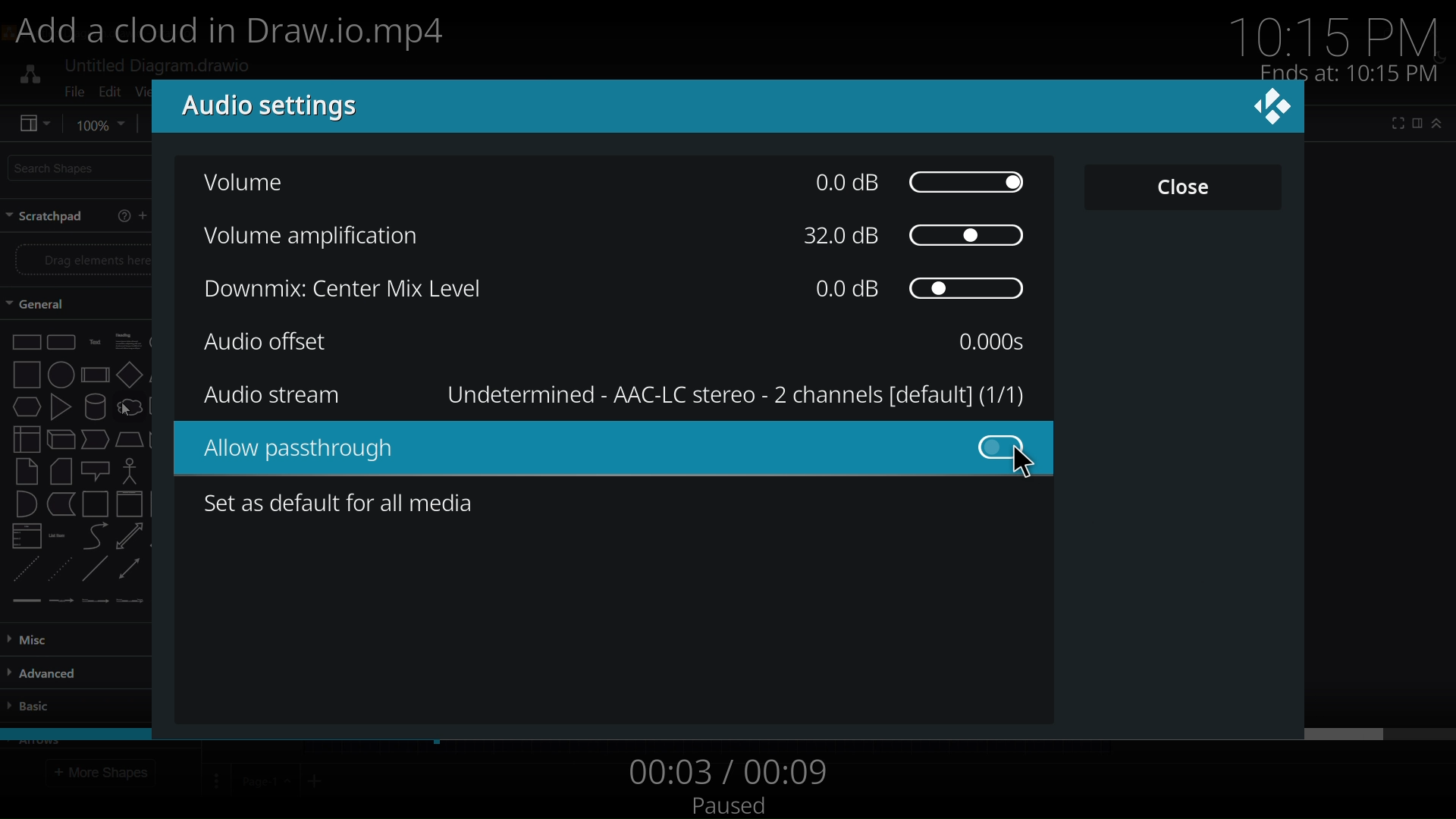  What do you see at coordinates (623, 449) in the screenshot?
I see `audio passthrough` at bounding box center [623, 449].